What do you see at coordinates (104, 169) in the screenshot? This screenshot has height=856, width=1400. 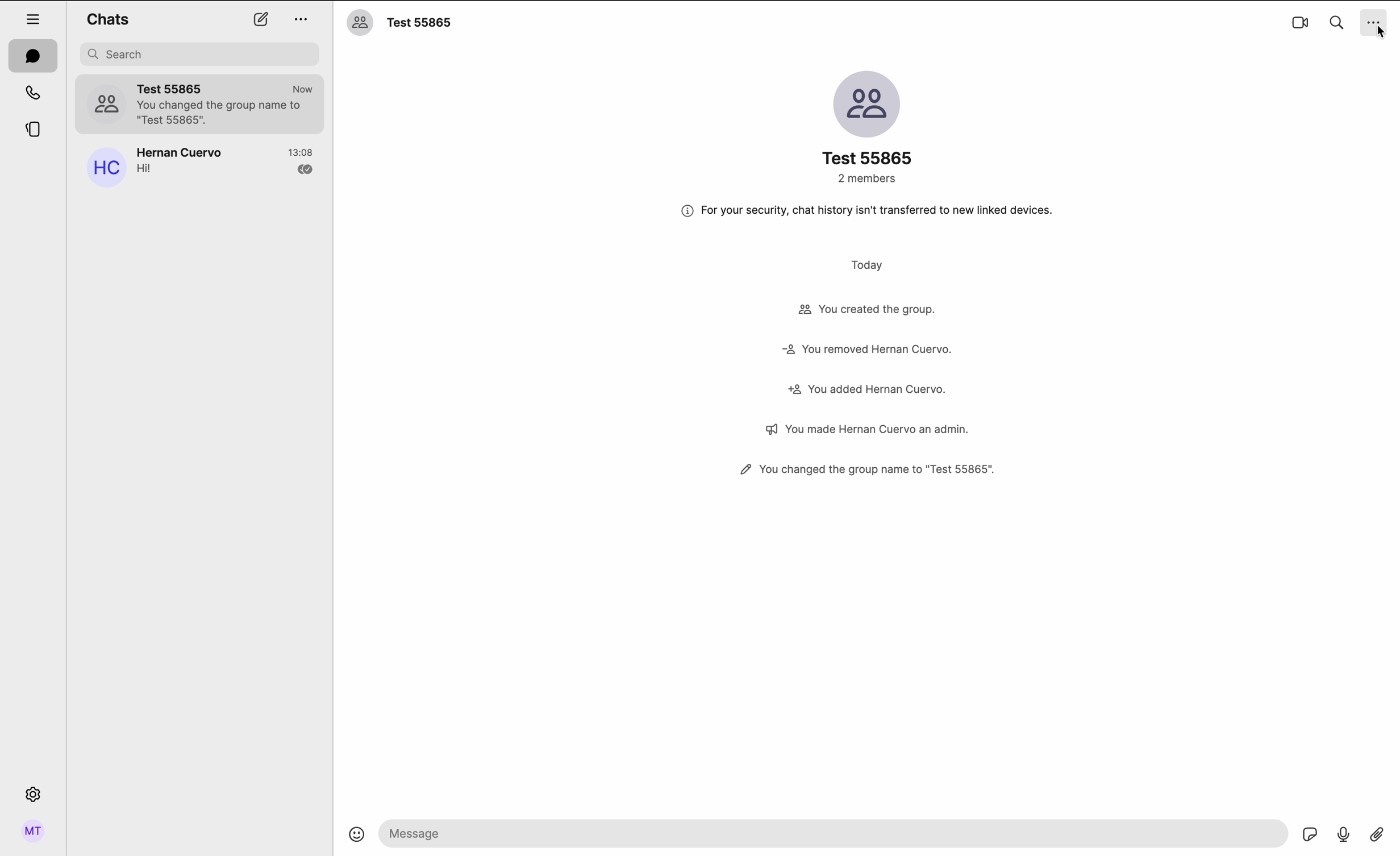 I see `profile picture` at bounding box center [104, 169].